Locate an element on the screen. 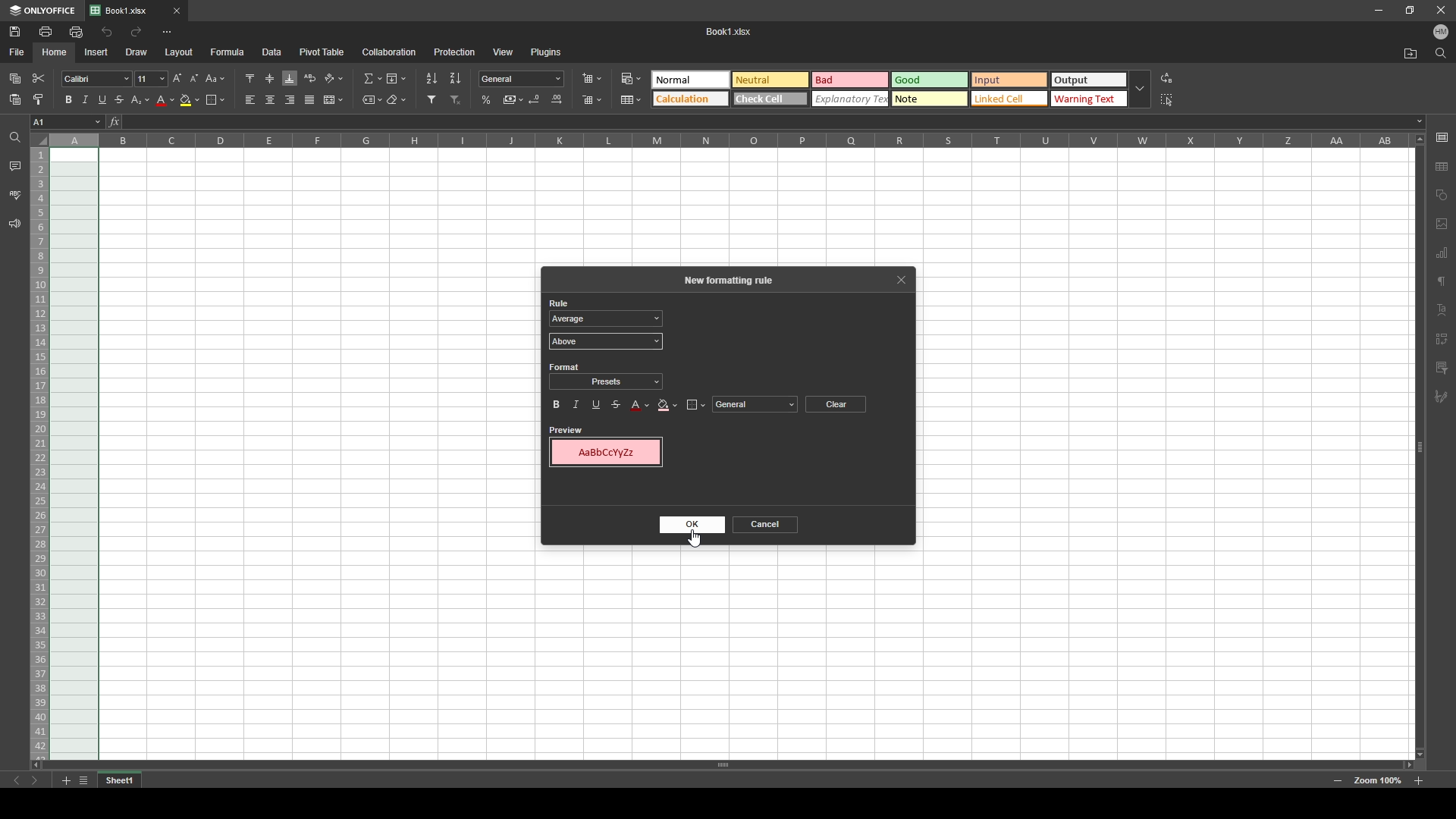  tab is located at coordinates (127, 11).